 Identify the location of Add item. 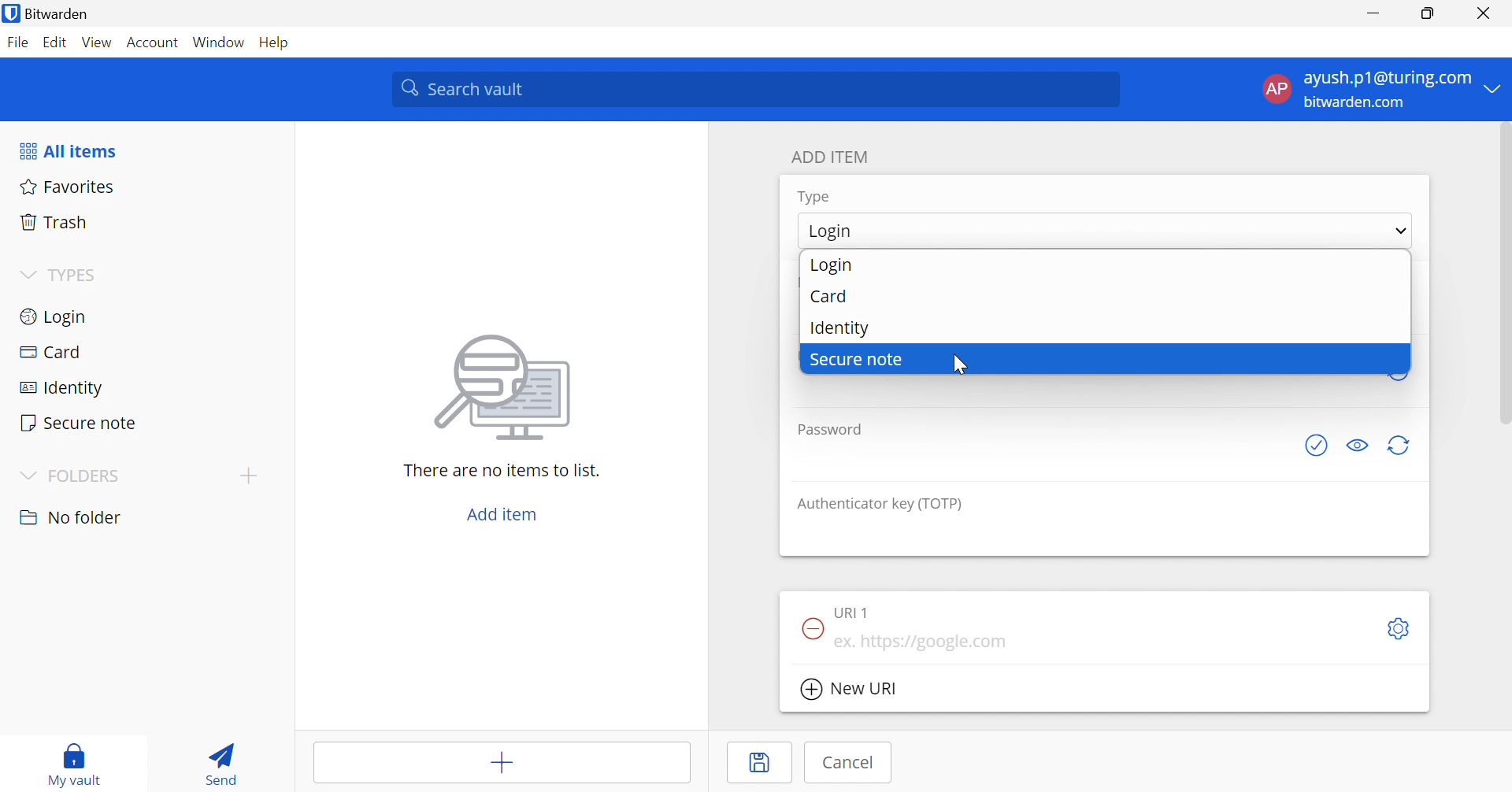
(502, 516).